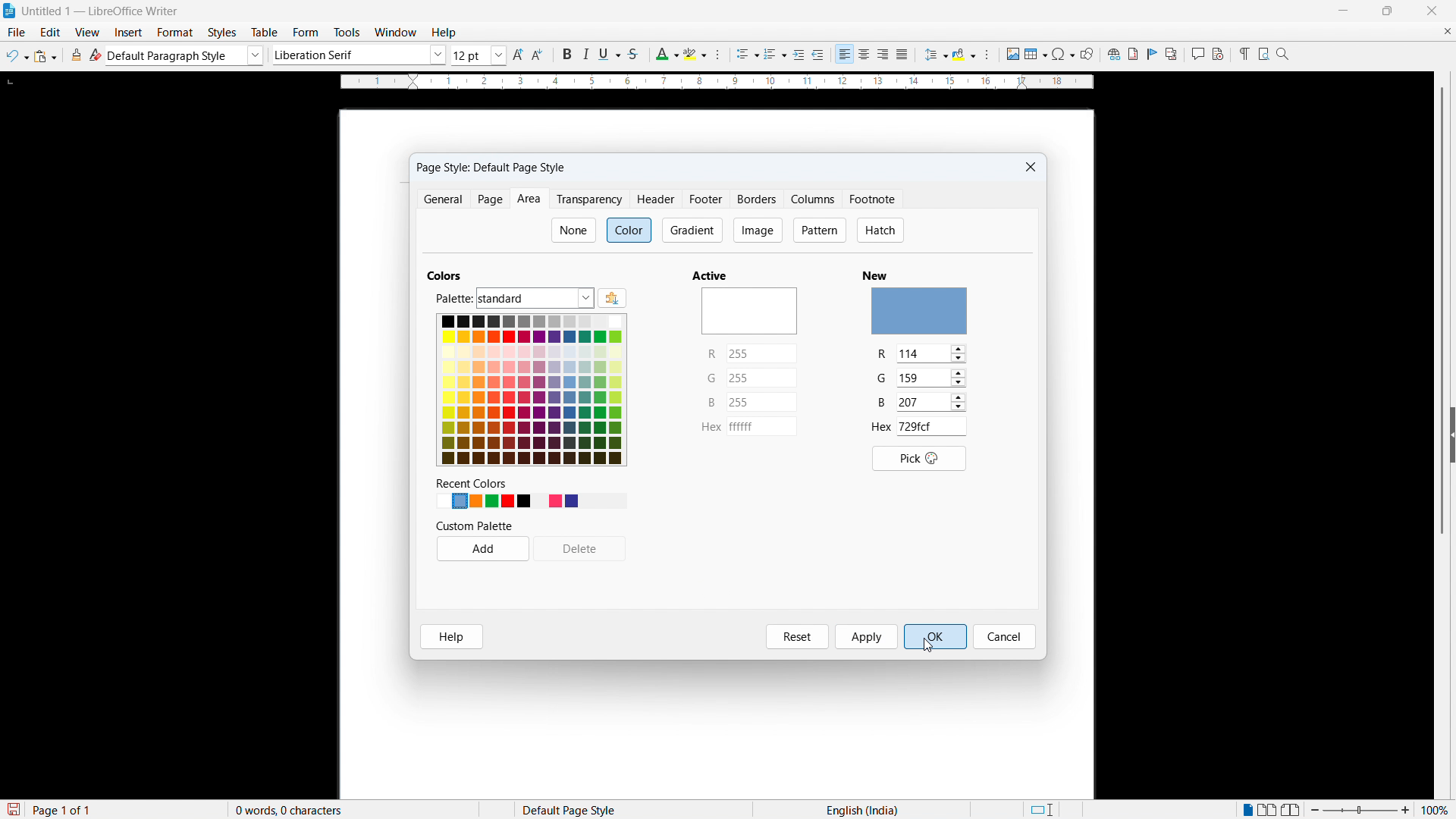  I want to click on Footnote , so click(873, 199).